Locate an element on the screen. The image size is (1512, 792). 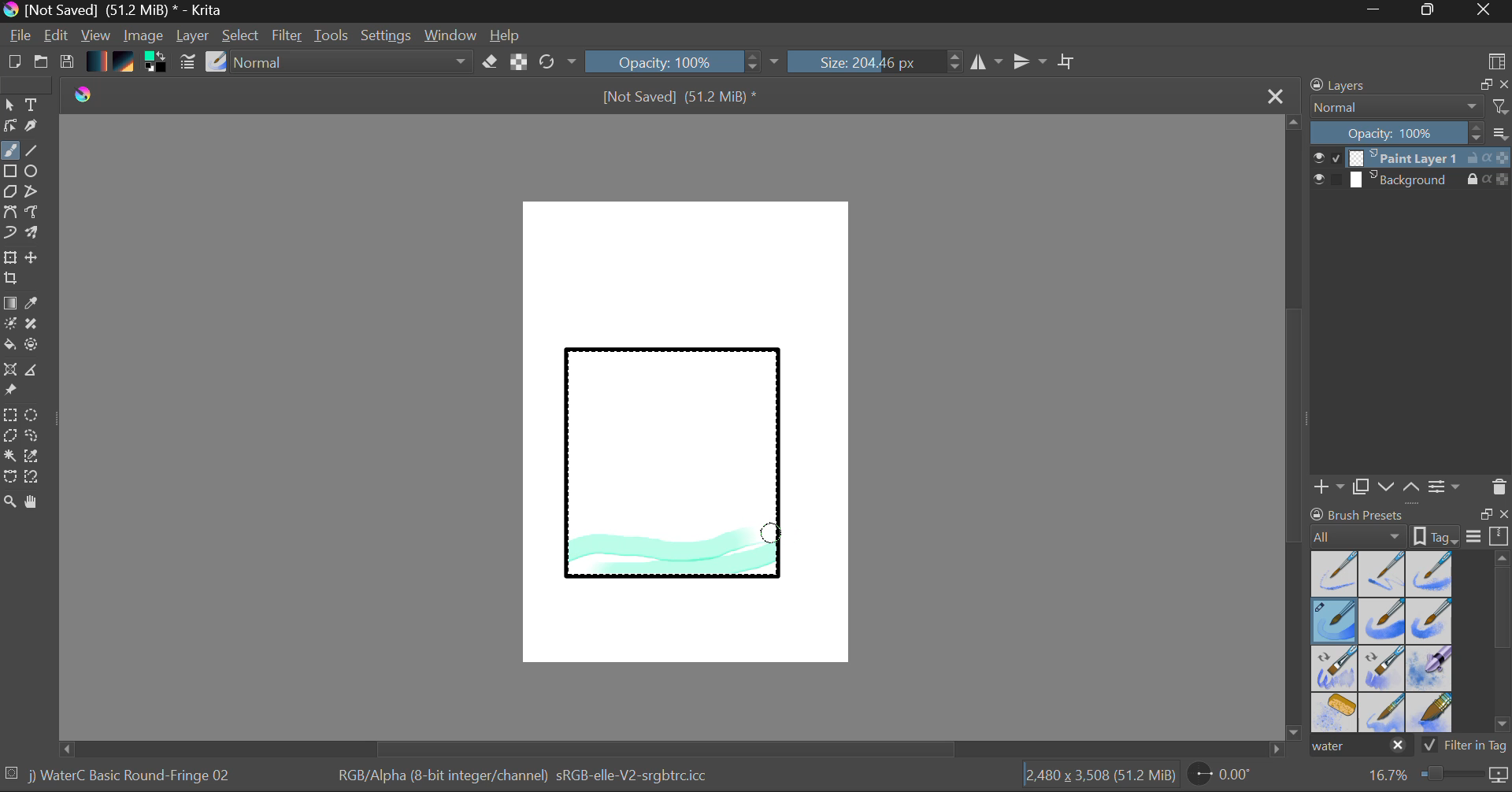
Save is located at coordinates (66, 63).